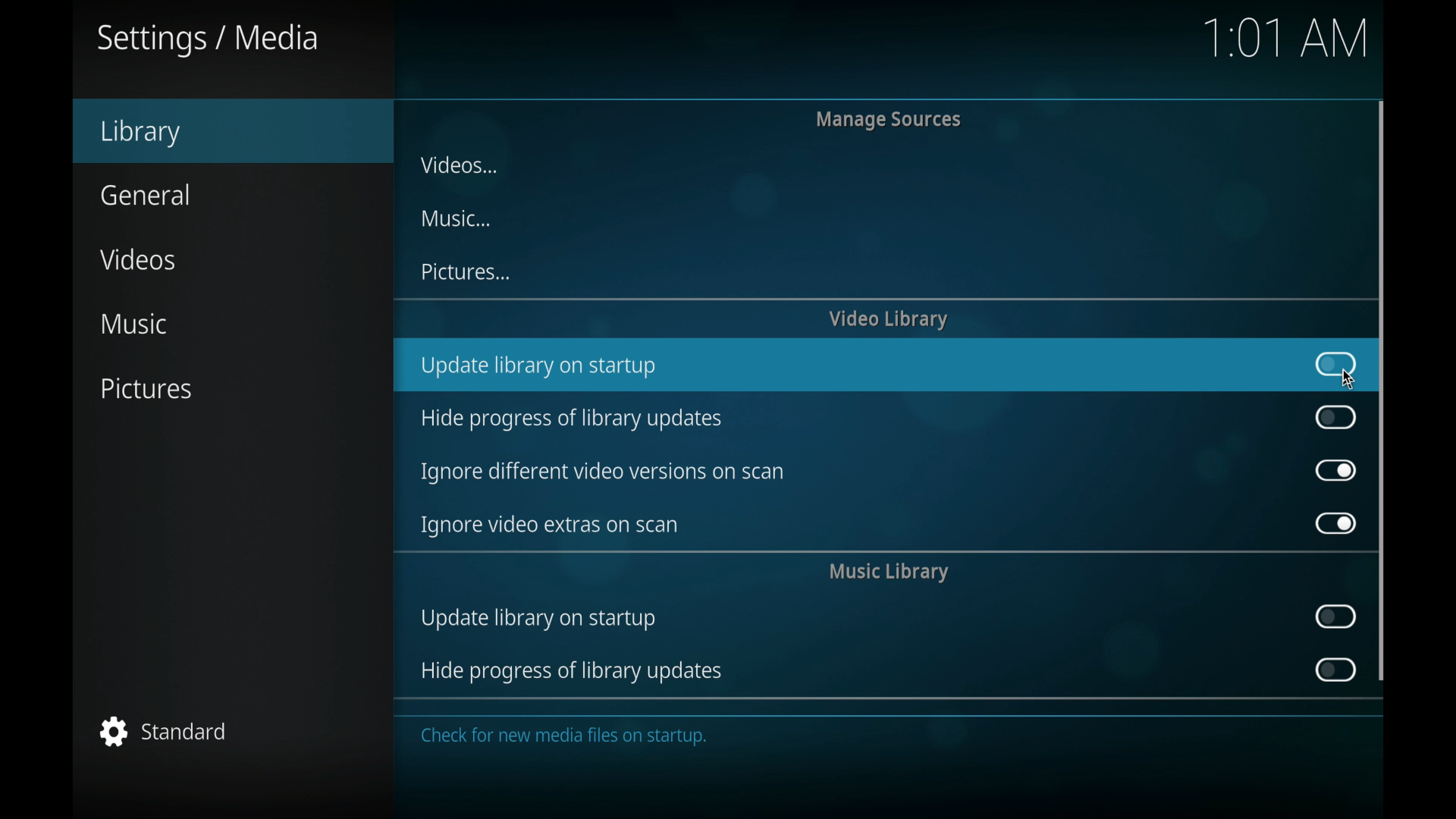 The width and height of the screenshot is (1456, 819). Describe the element at coordinates (208, 39) in the screenshot. I see `settings/media` at that location.